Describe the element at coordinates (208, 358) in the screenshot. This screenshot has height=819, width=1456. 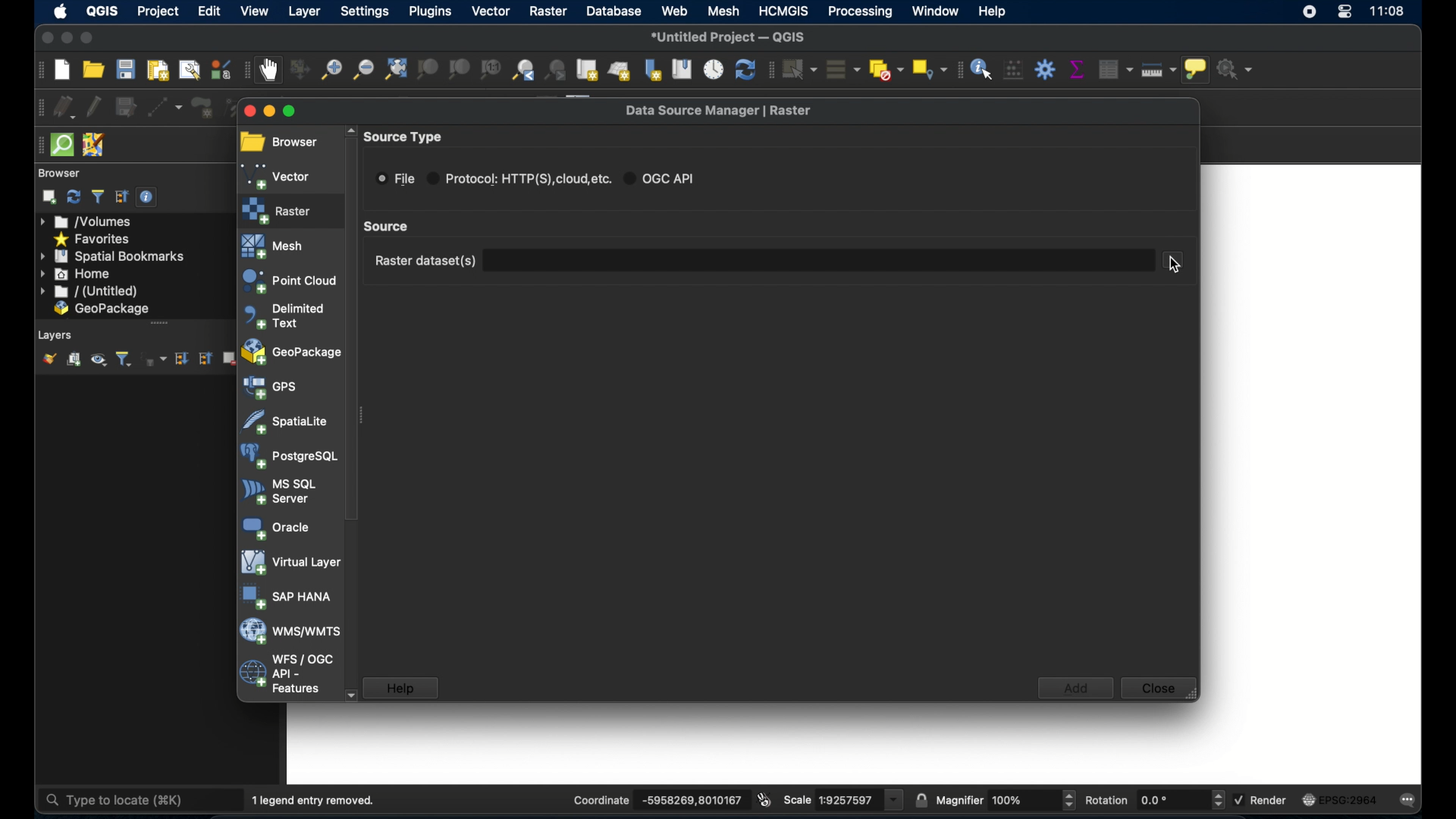
I see `collapse all` at that location.